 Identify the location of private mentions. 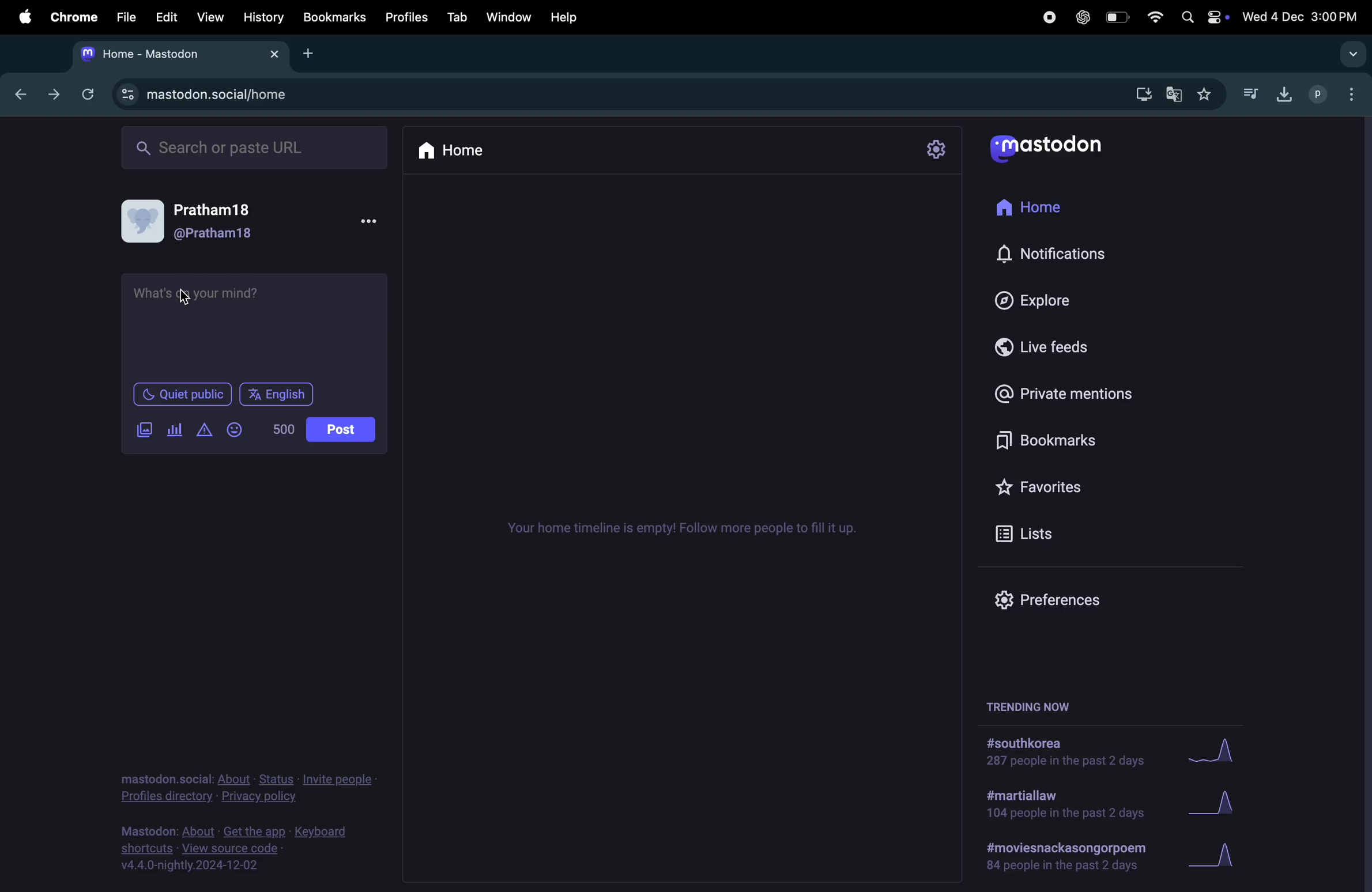
(1085, 391).